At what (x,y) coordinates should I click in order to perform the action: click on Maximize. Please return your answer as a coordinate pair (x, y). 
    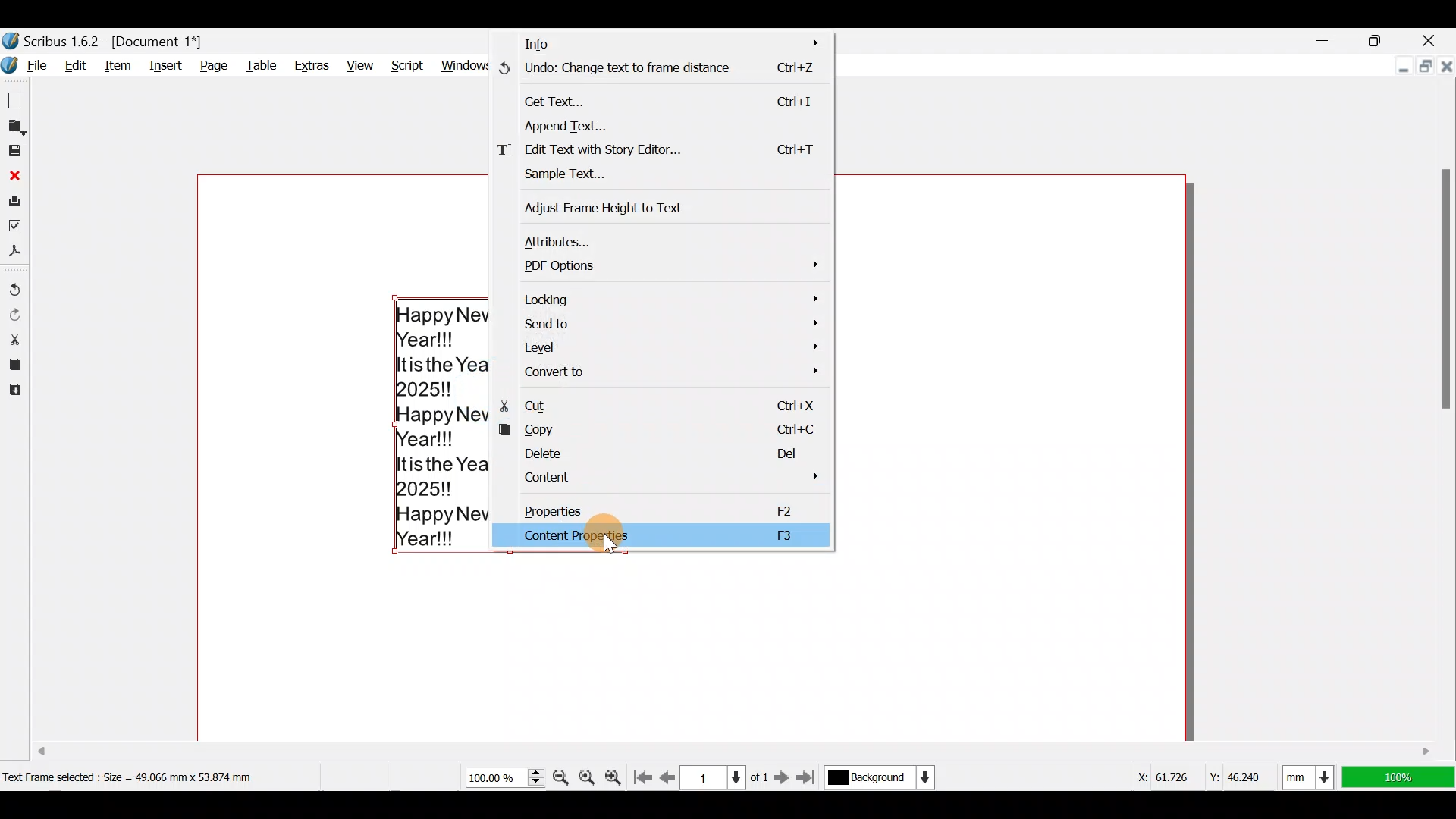
    Looking at the image, I should click on (1387, 39).